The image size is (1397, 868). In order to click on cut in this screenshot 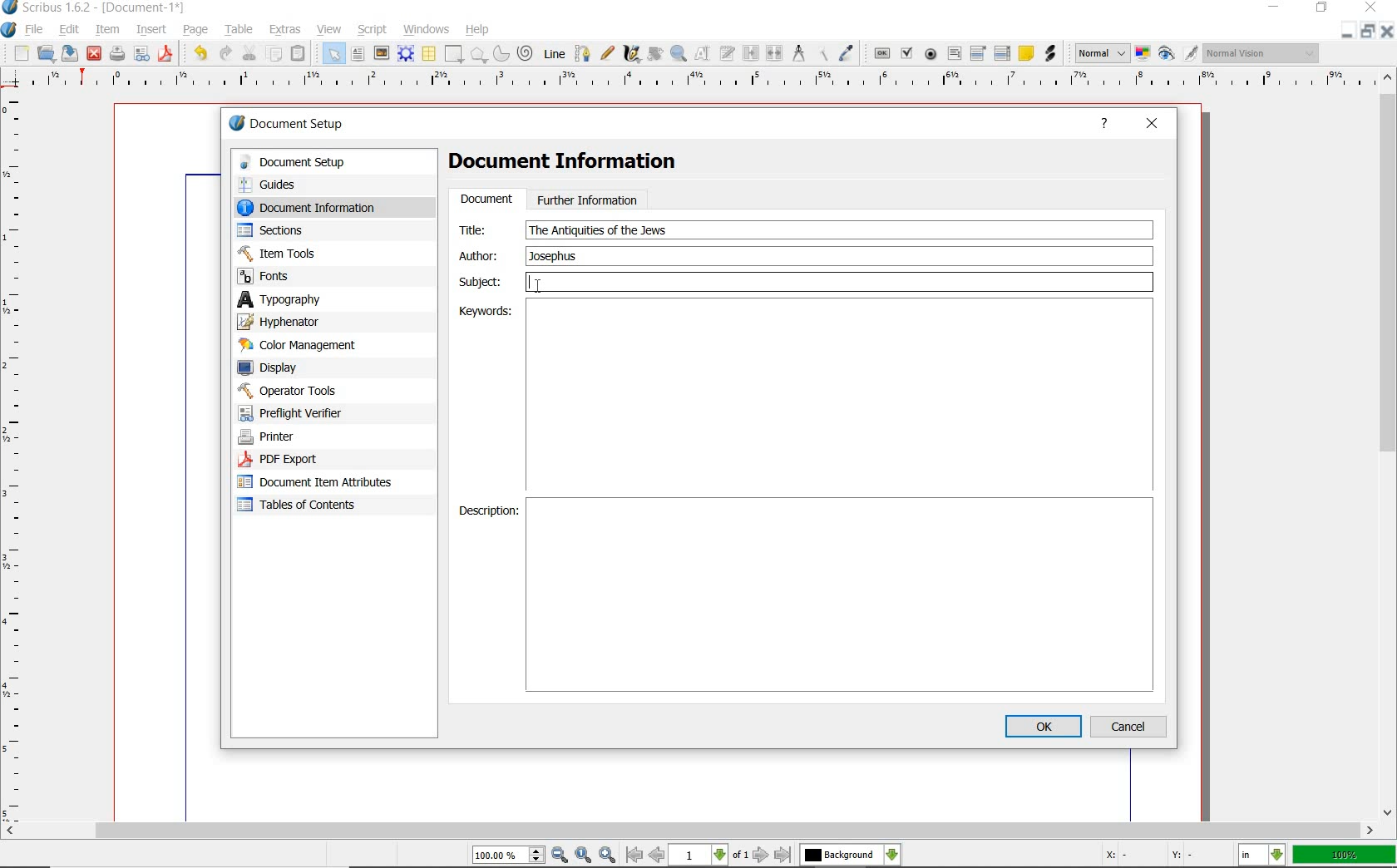, I will do `click(250, 53)`.